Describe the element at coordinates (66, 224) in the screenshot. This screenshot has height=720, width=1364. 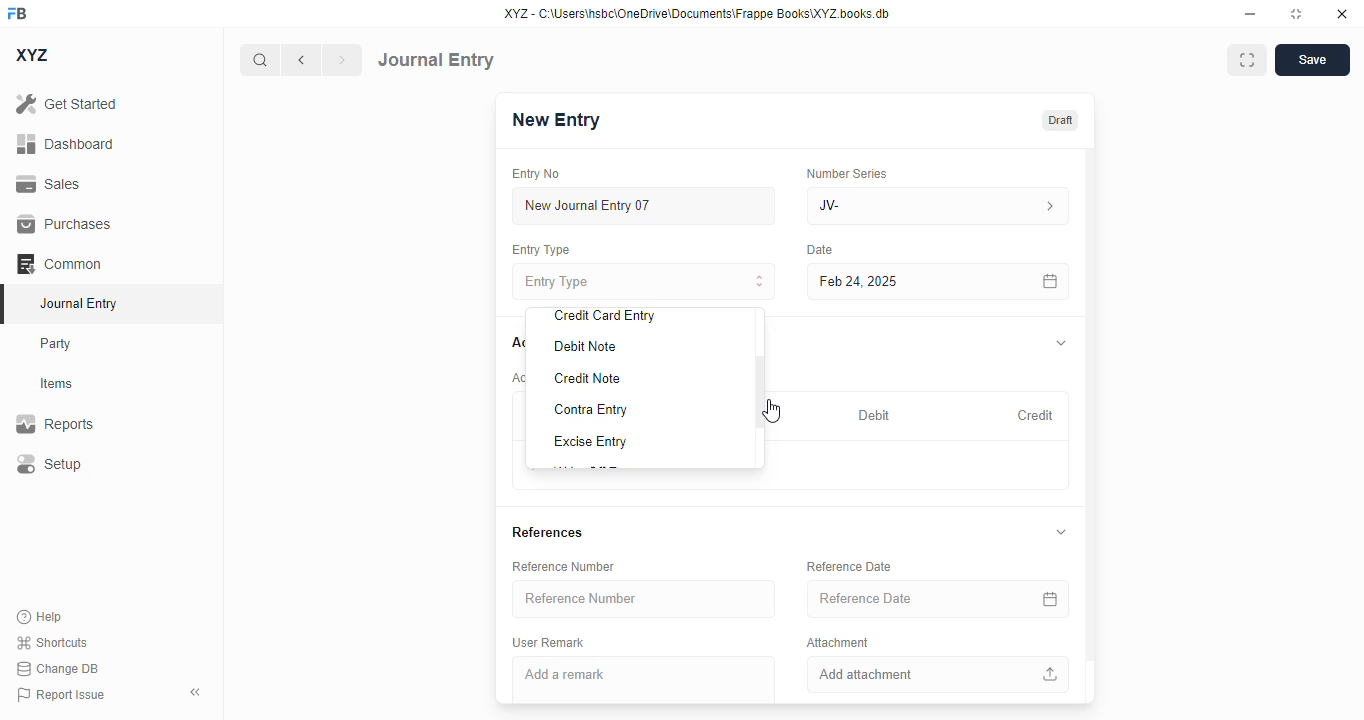
I see `purchases` at that location.